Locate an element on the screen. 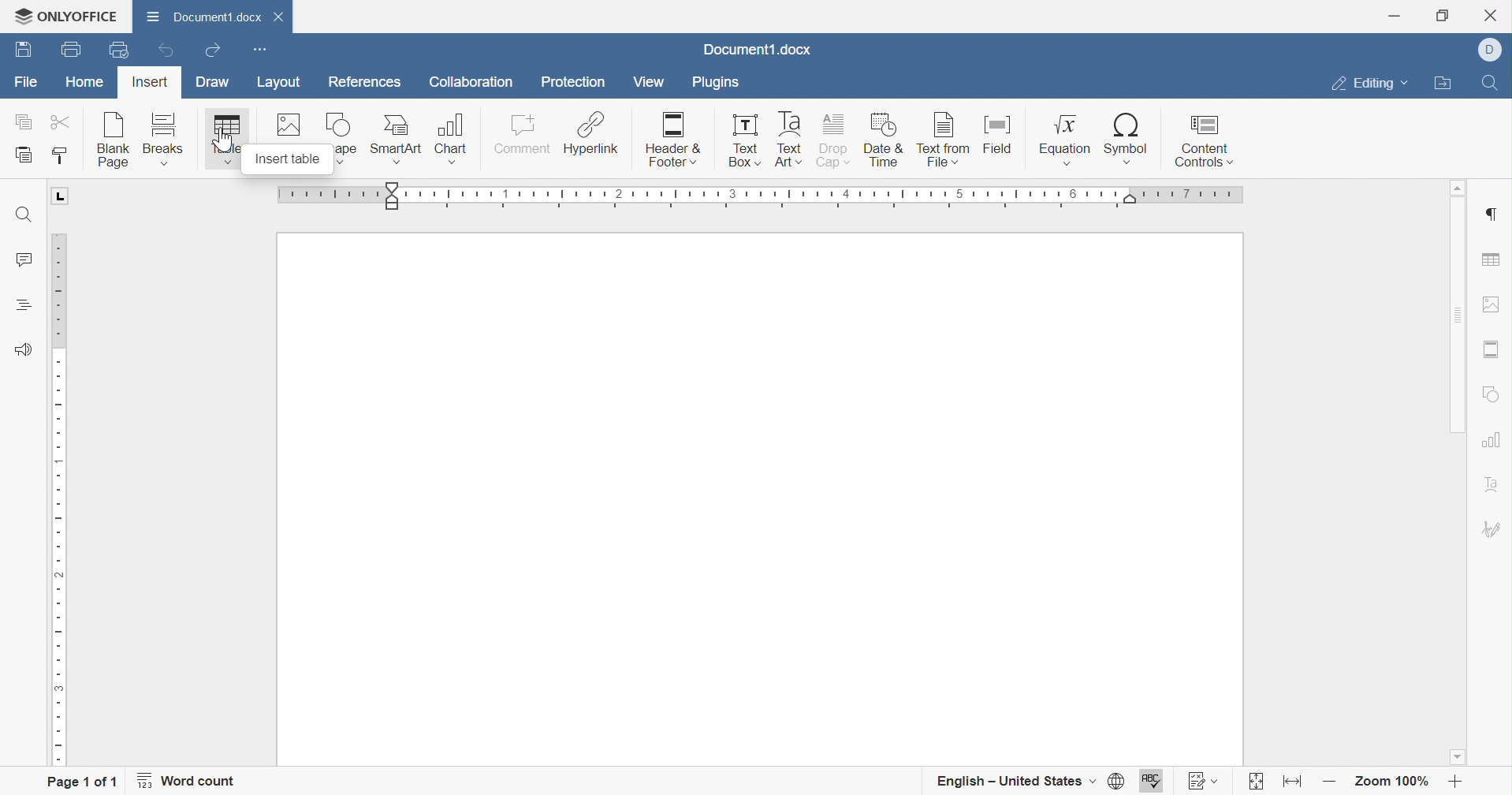  Set document language is located at coordinates (1118, 779).